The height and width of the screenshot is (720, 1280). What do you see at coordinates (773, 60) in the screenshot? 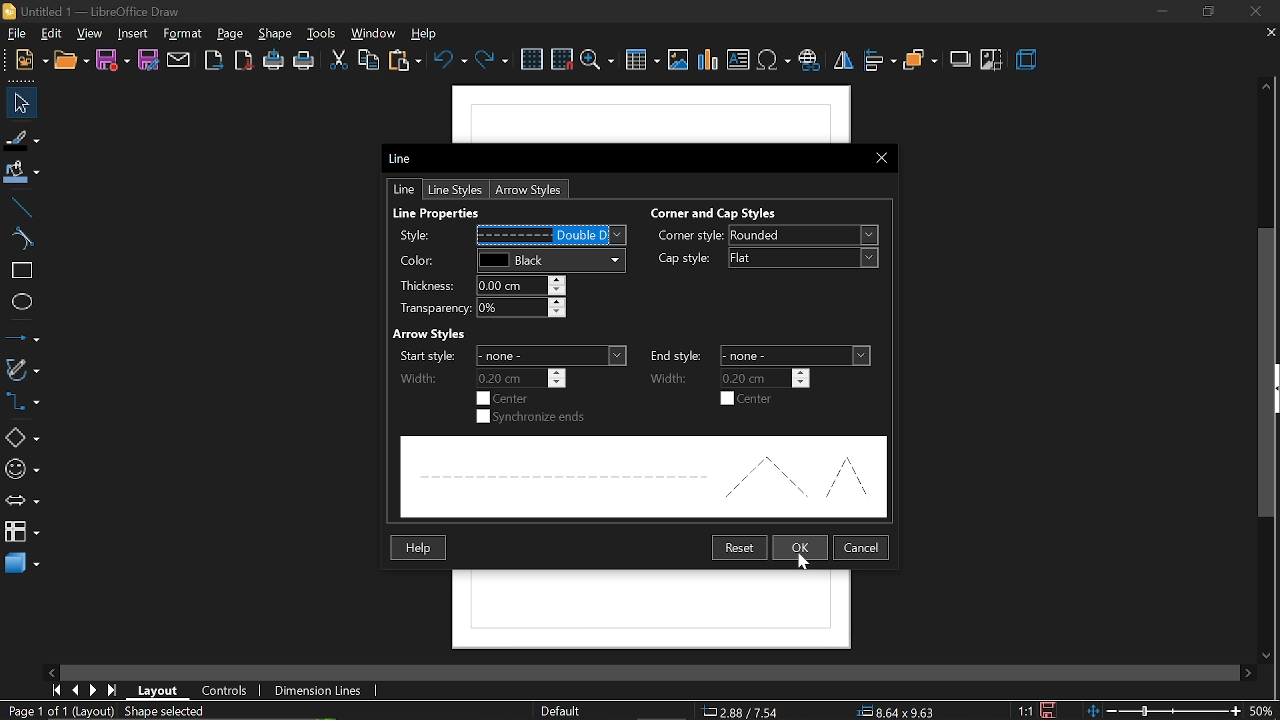
I see `insert symbol` at bounding box center [773, 60].